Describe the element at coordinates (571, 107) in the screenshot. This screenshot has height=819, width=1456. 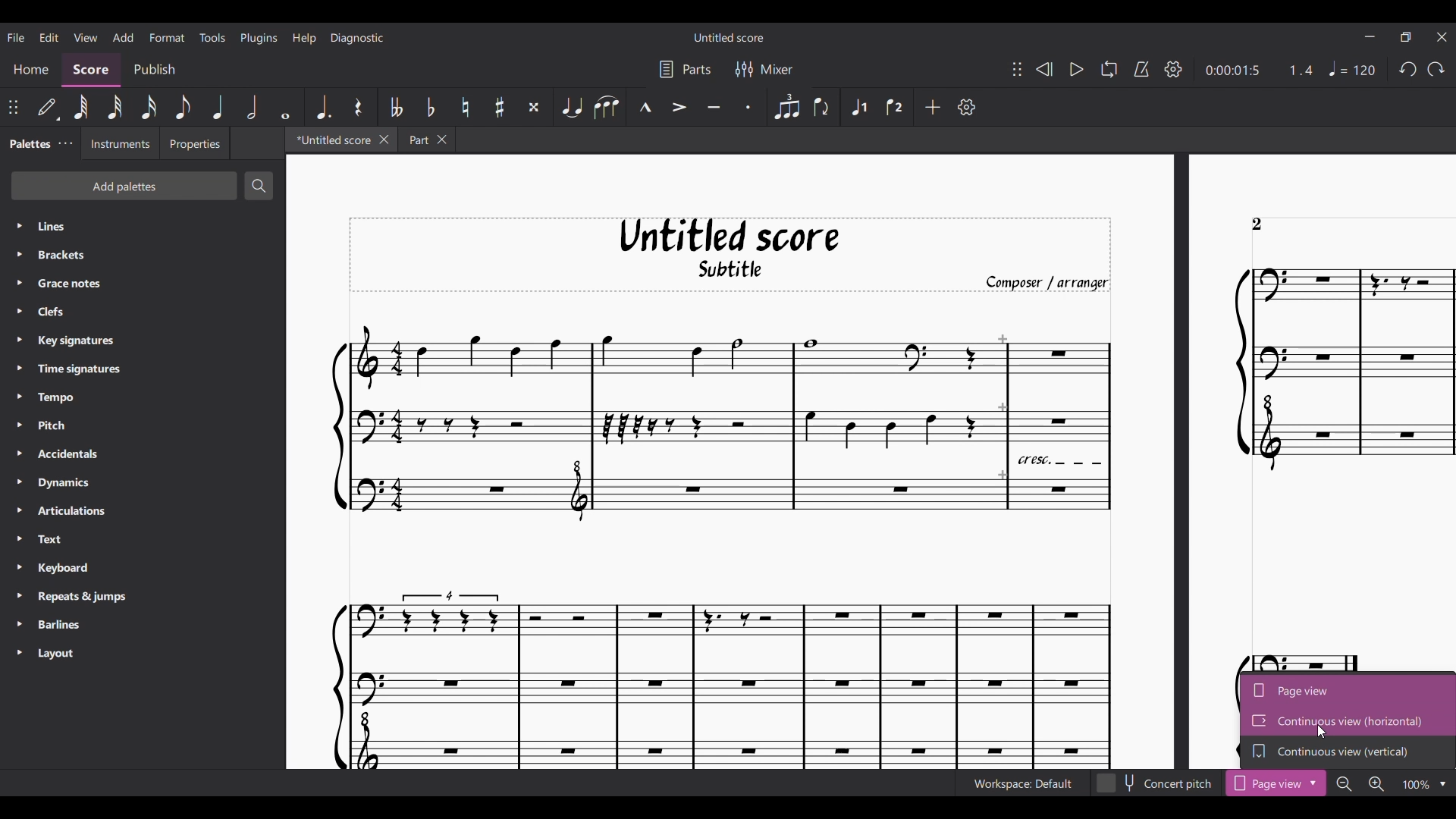
I see `Tie` at that location.